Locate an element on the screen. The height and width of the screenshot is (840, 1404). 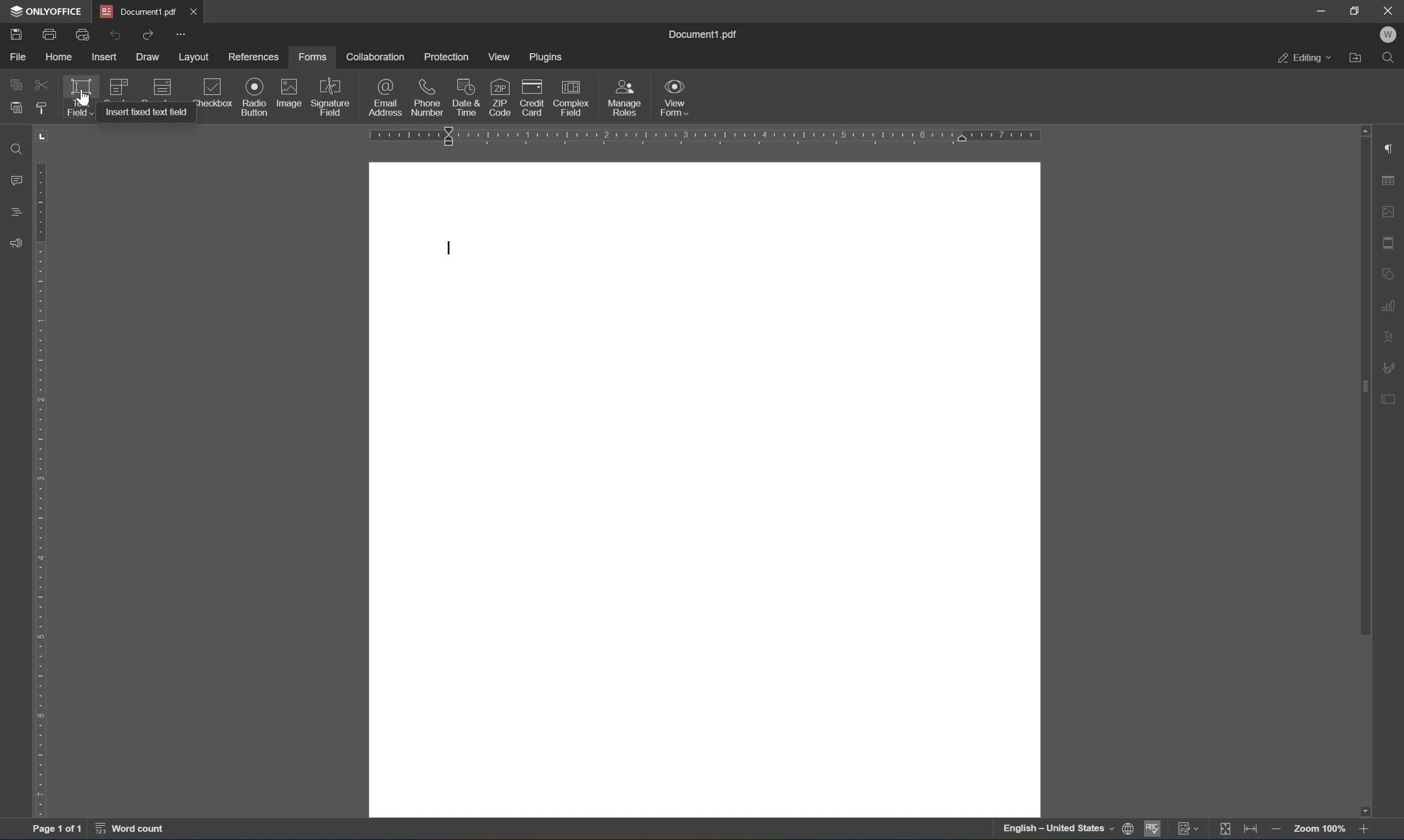
manage roles is located at coordinates (624, 100).